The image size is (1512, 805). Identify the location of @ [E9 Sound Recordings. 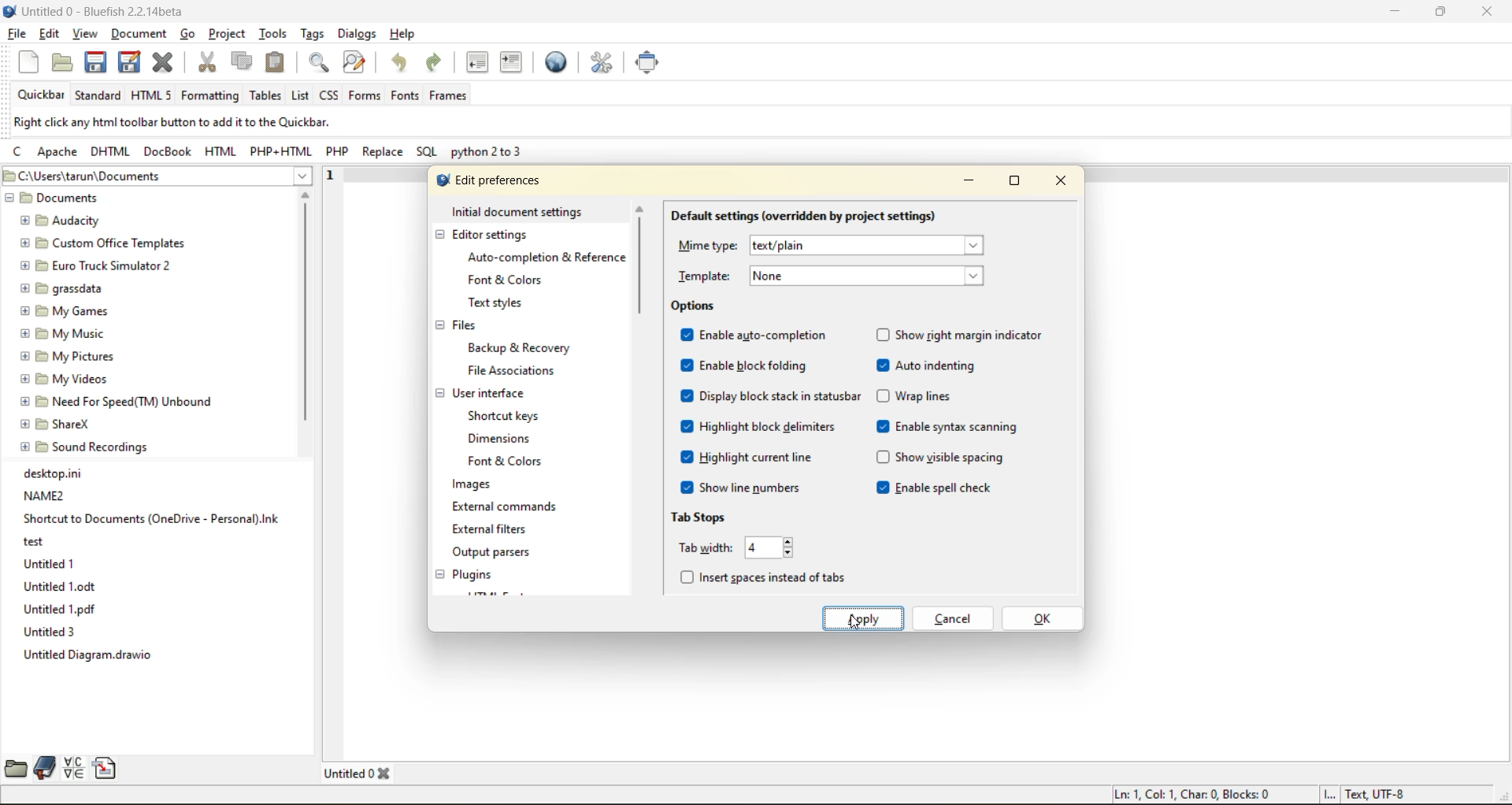
(87, 447).